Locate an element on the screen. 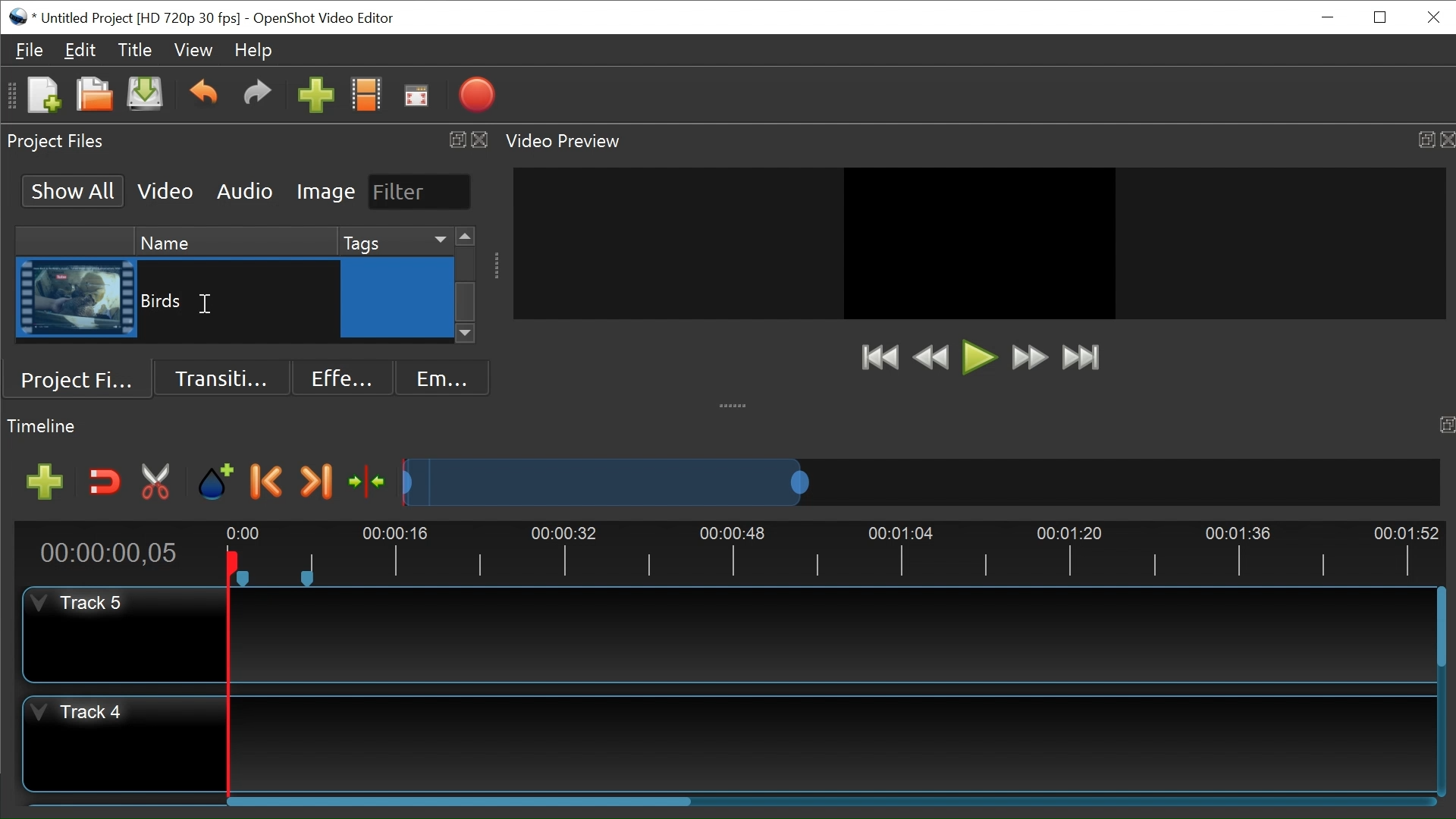 This screenshot has width=1456, height=819. Insertion cursor is located at coordinates (204, 305).